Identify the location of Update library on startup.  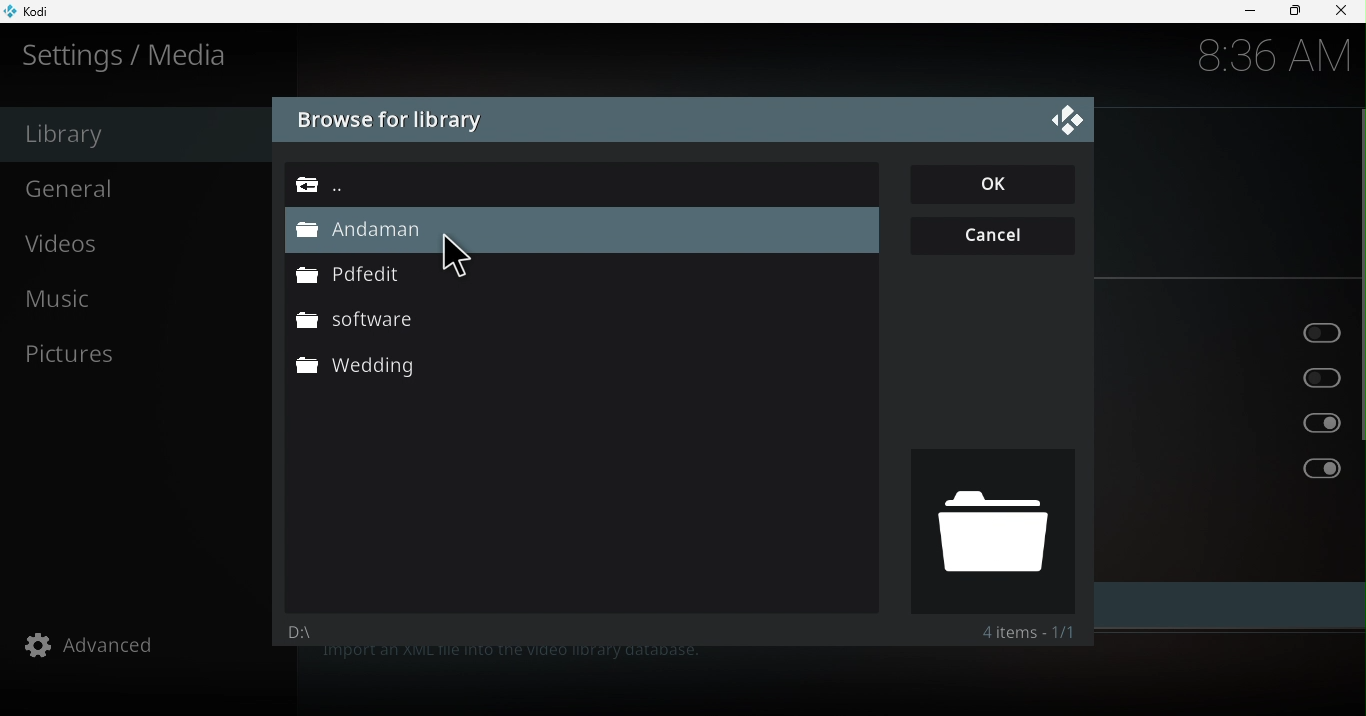
(1226, 330).